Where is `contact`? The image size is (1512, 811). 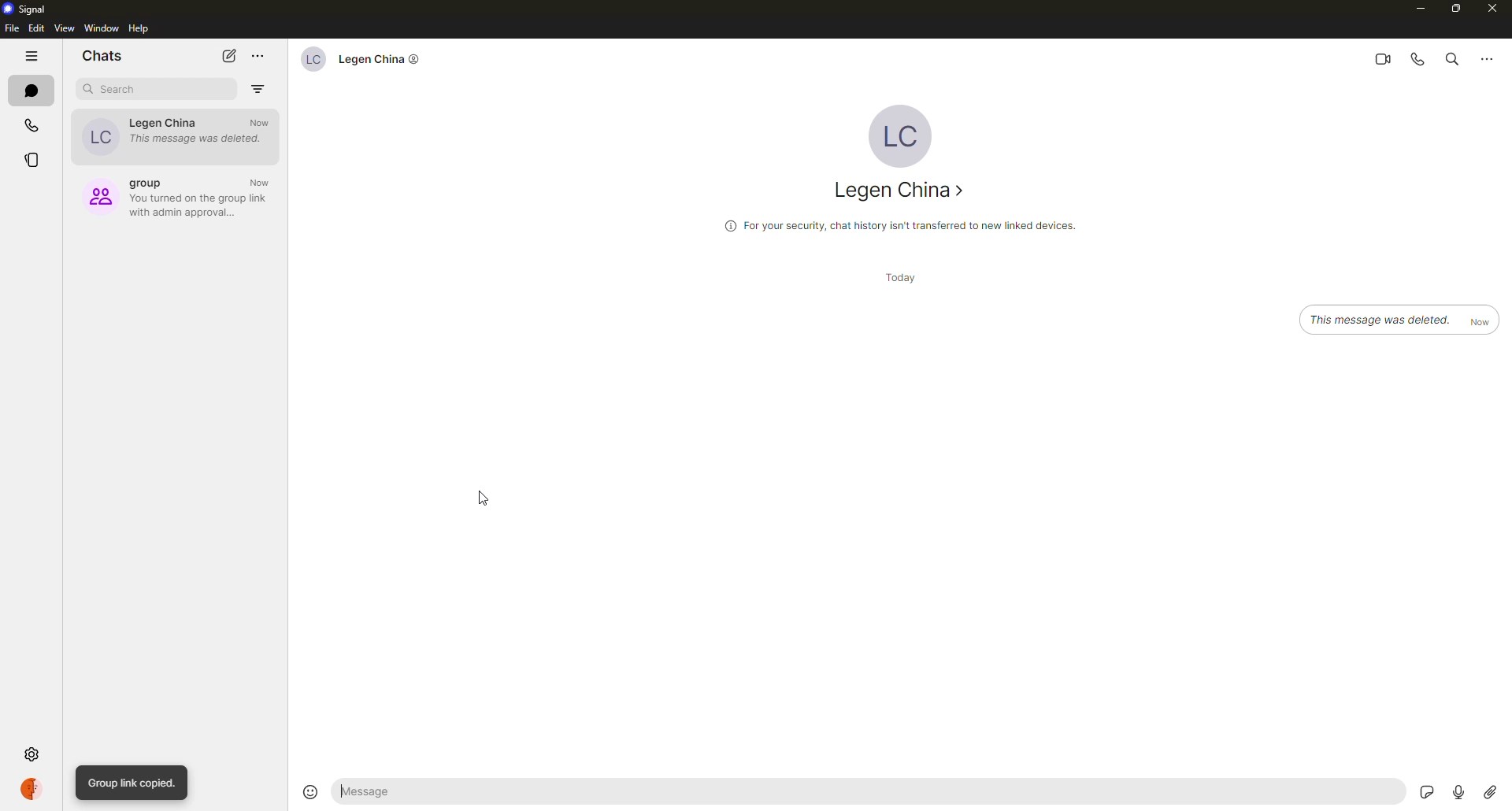 contact is located at coordinates (172, 134).